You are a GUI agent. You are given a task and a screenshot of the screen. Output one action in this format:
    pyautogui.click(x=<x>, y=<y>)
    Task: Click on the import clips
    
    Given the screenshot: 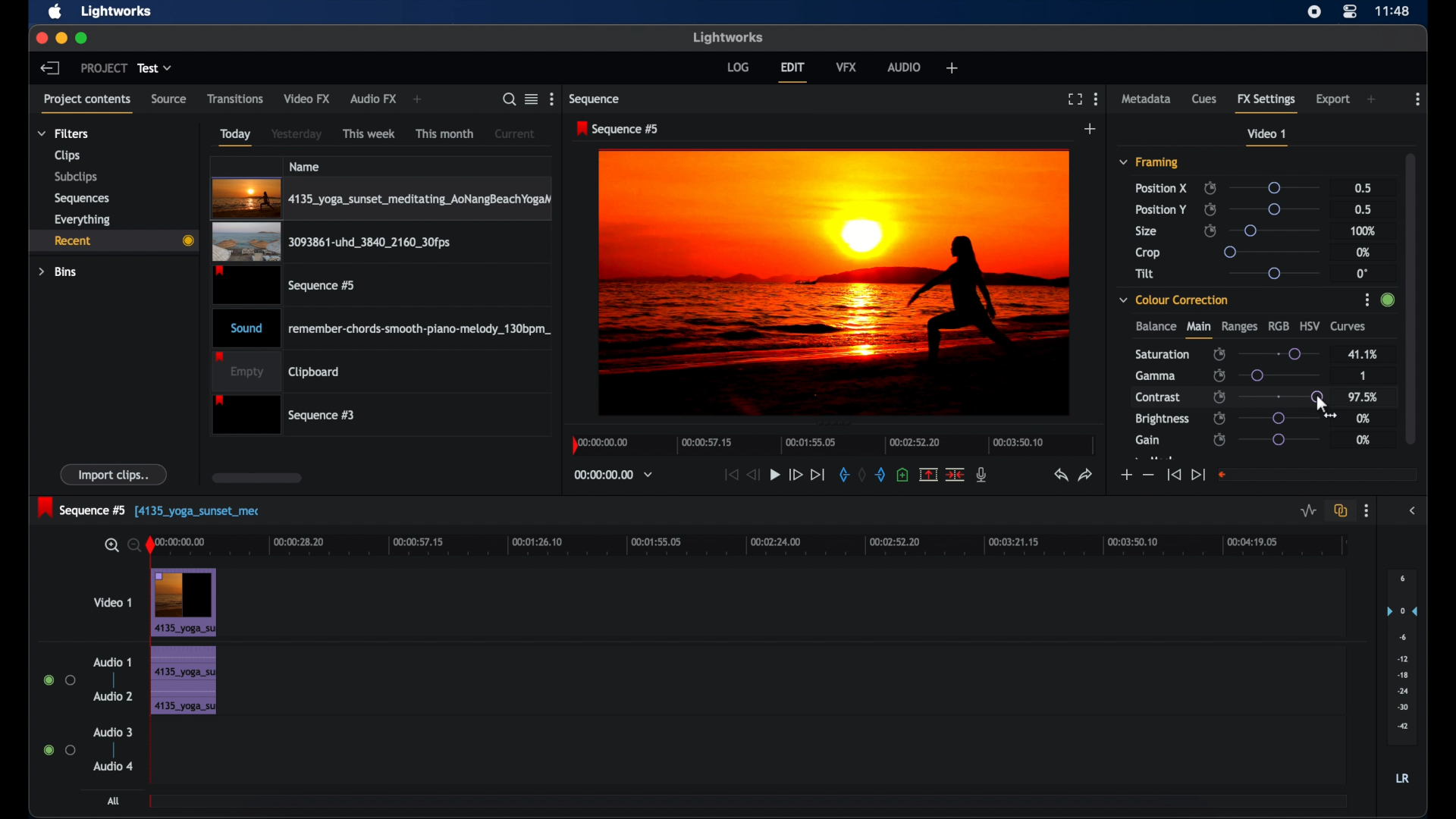 What is the action you would take?
    pyautogui.click(x=115, y=475)
    